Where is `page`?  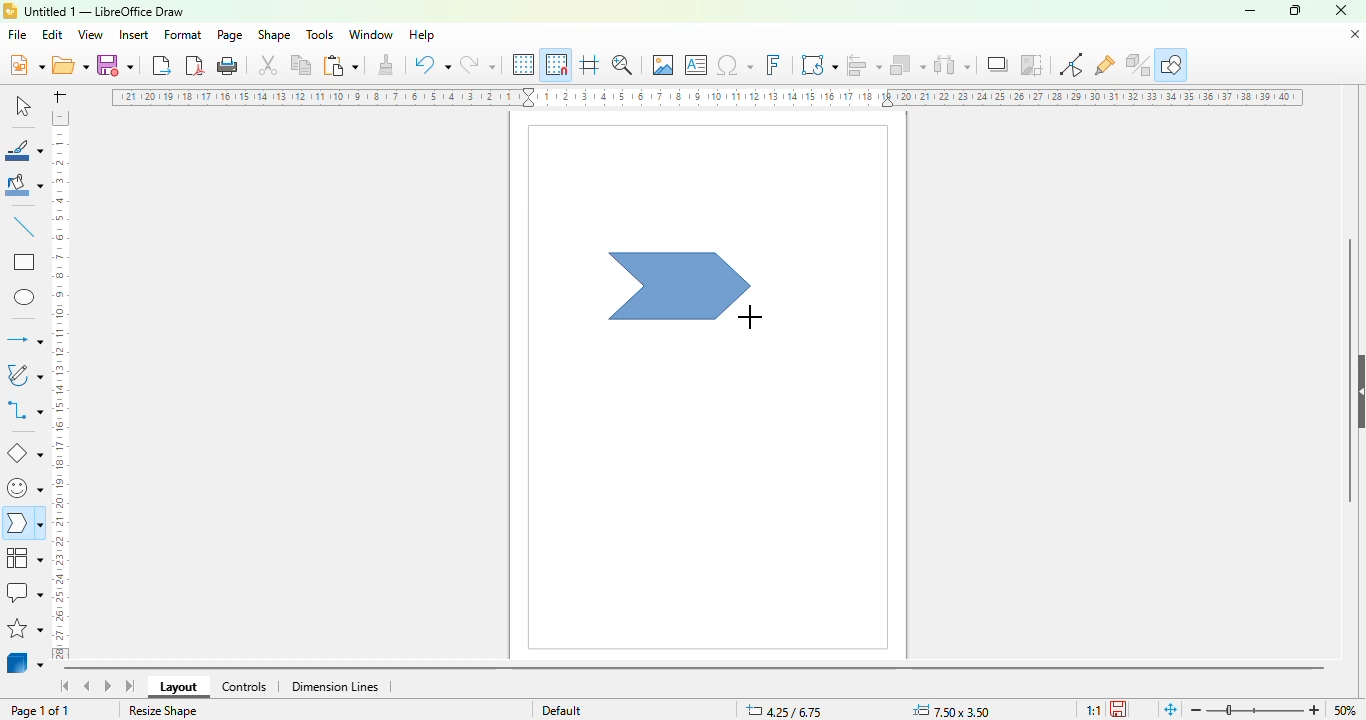 page is located at coordinates (229, 35).